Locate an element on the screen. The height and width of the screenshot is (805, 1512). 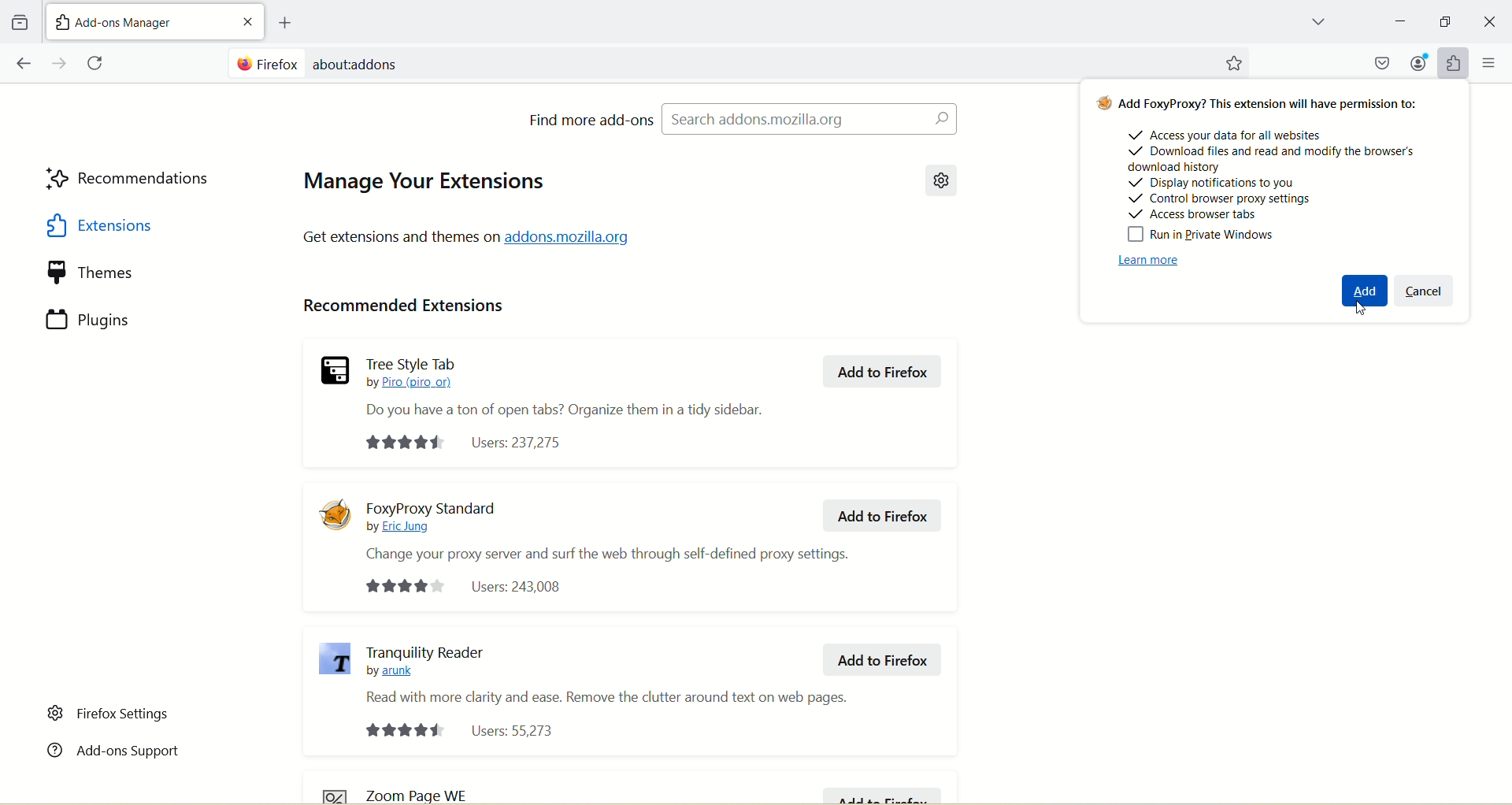
Theme is located at coordinates (133, 273).